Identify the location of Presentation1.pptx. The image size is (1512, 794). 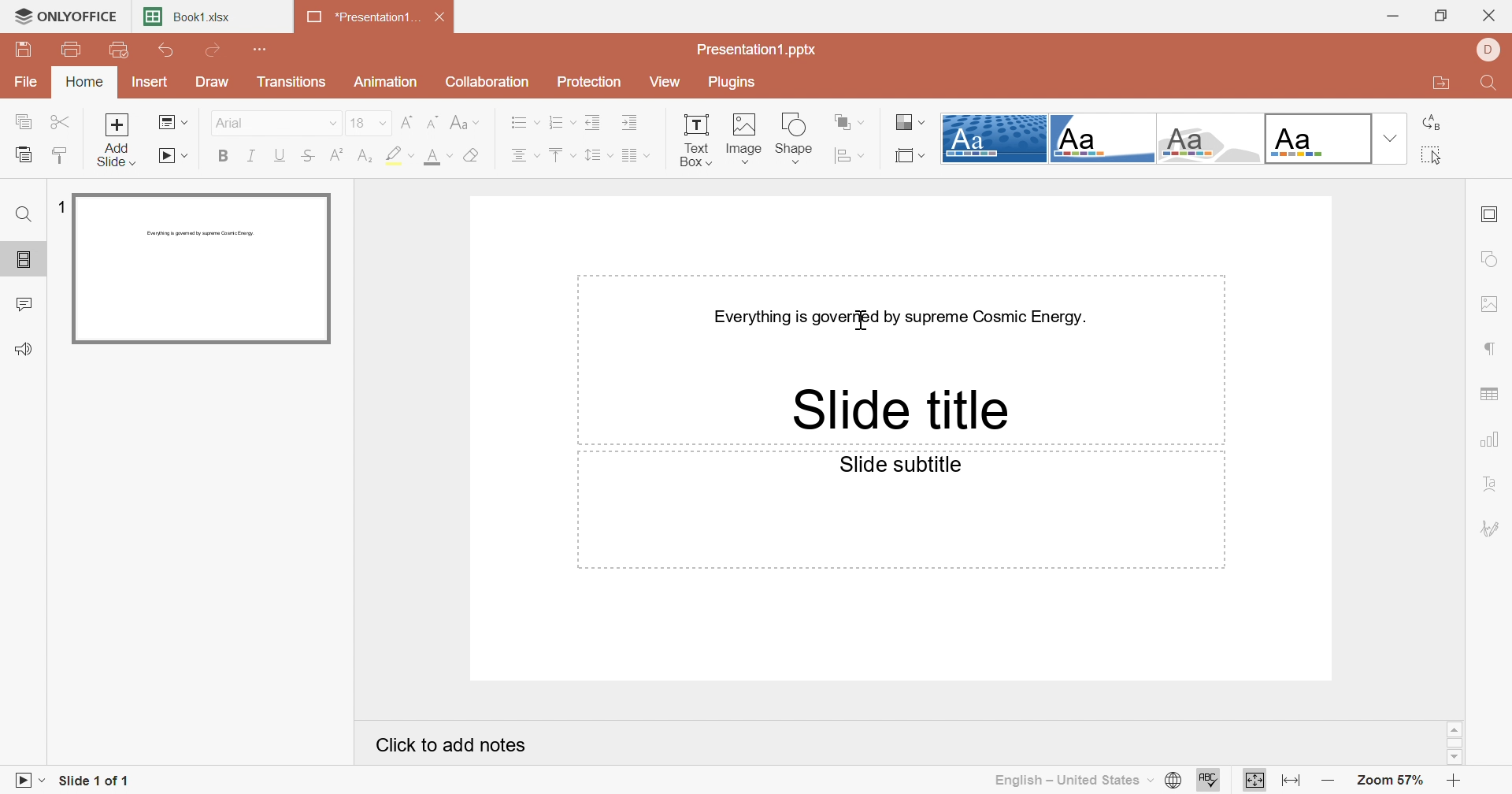
(758, 49).